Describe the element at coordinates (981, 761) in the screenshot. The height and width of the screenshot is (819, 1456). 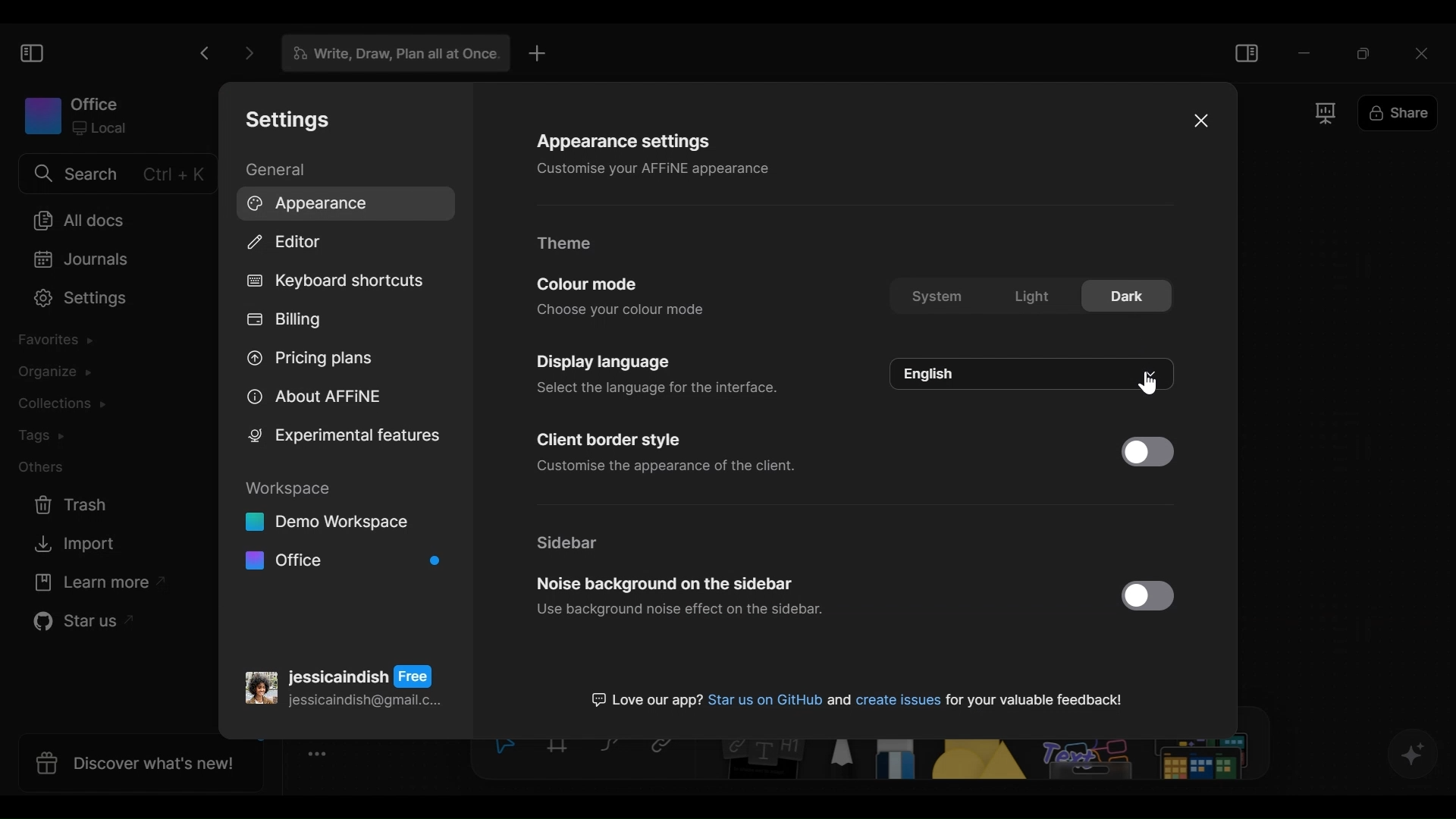
I see `Shape` at that location.